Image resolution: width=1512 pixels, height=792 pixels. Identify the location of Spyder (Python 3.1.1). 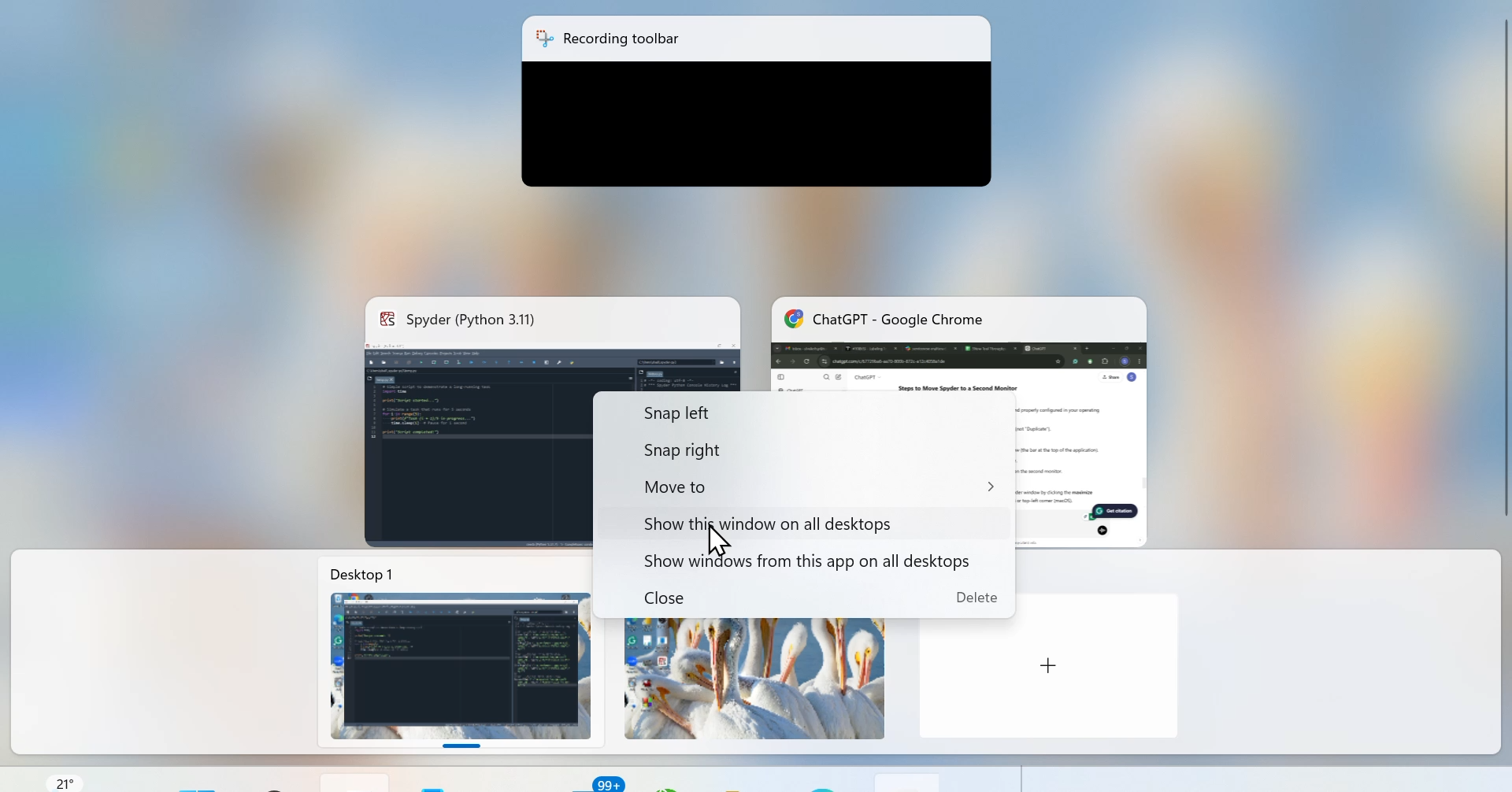
(552, 323).